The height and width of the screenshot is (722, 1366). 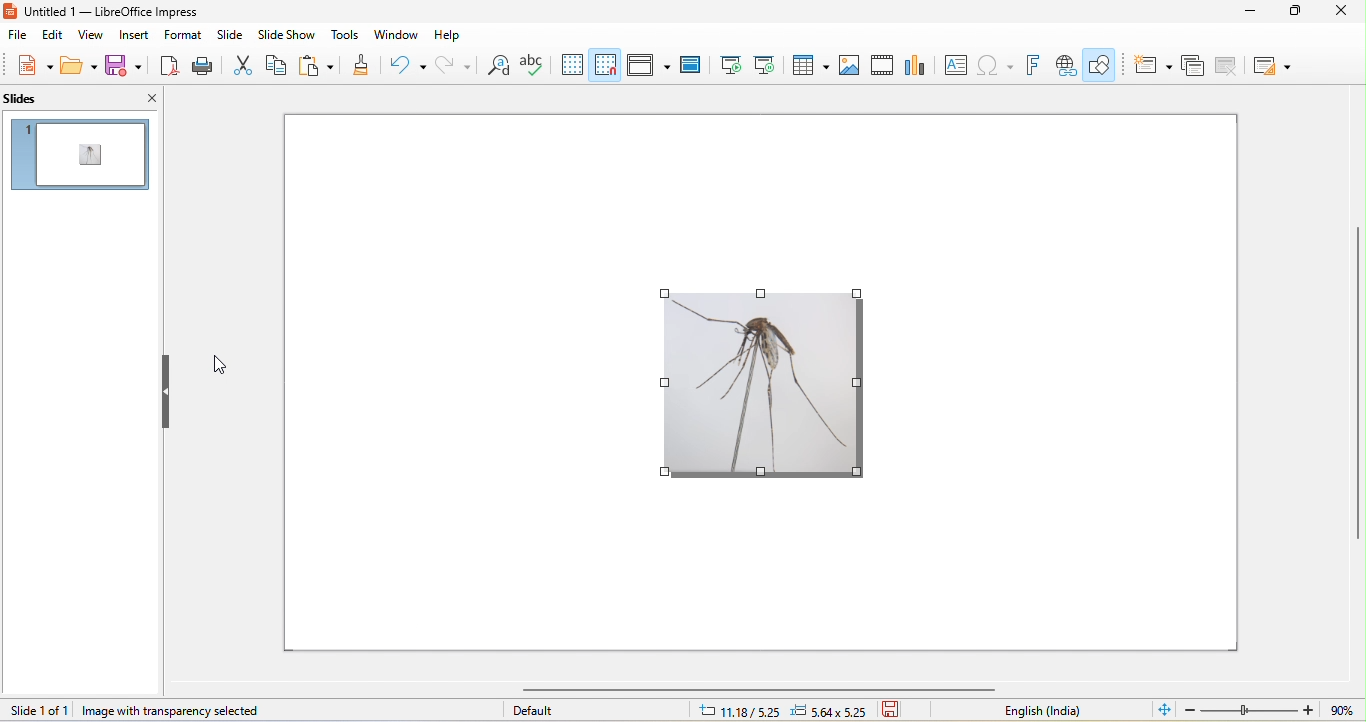 What do you see at coordinates (1058, 712) in the screenshot?
I see `english` at bounding box center [1058, 712].